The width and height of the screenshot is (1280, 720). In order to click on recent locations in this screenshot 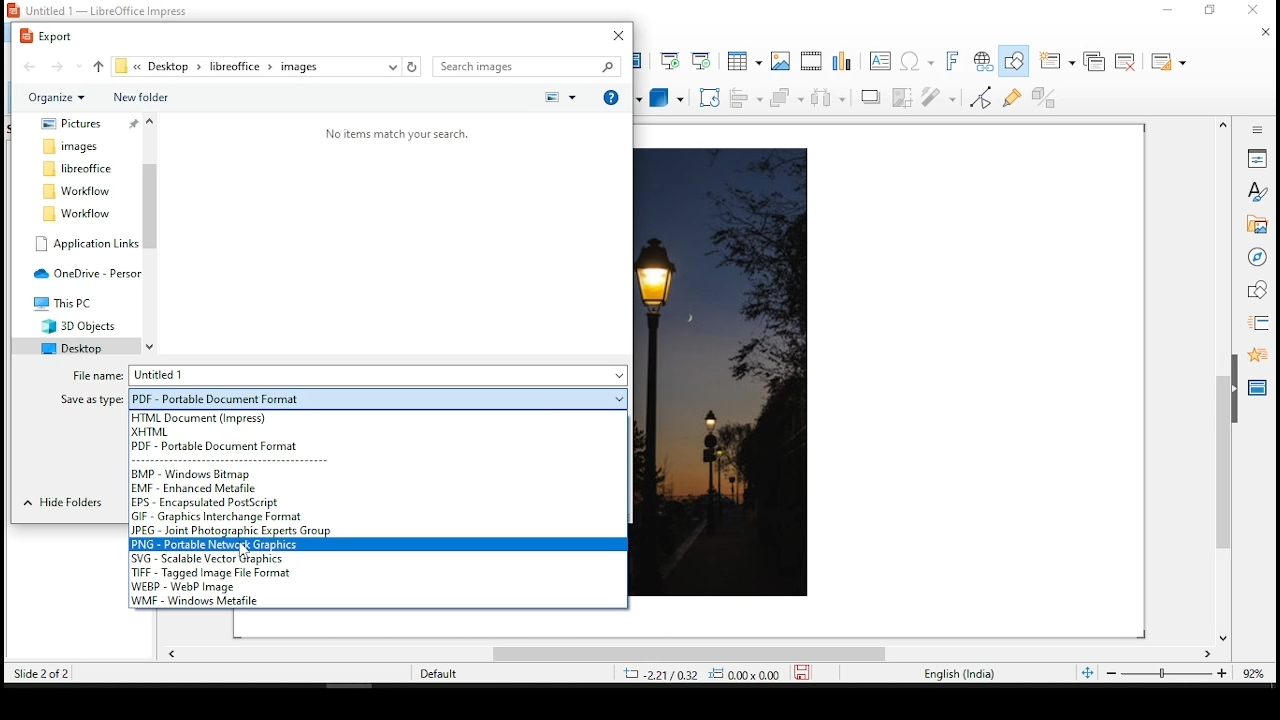, I will do `click(393, 66)`.